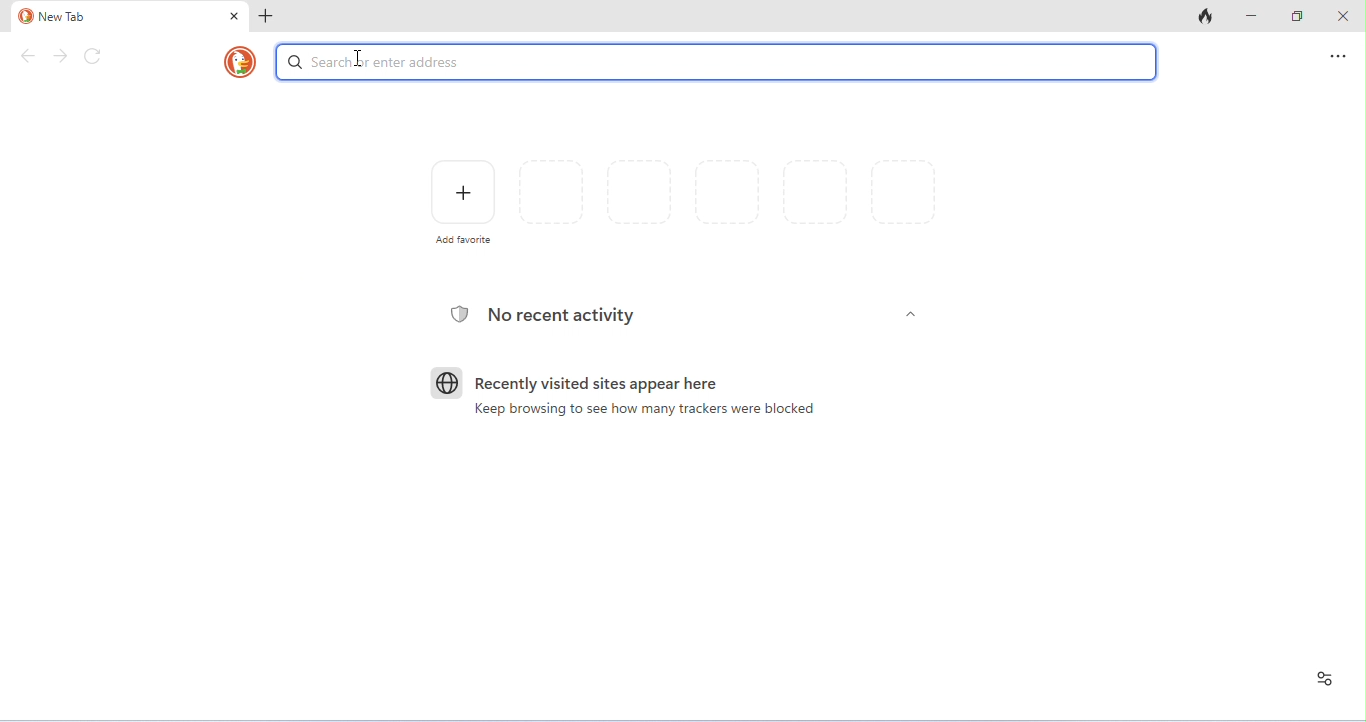 This screenshot has width=1366, height=722. What do you see at coordinates (465, 202) in the screenshot?
I see `add favorite` at bounding box center [465, 202].